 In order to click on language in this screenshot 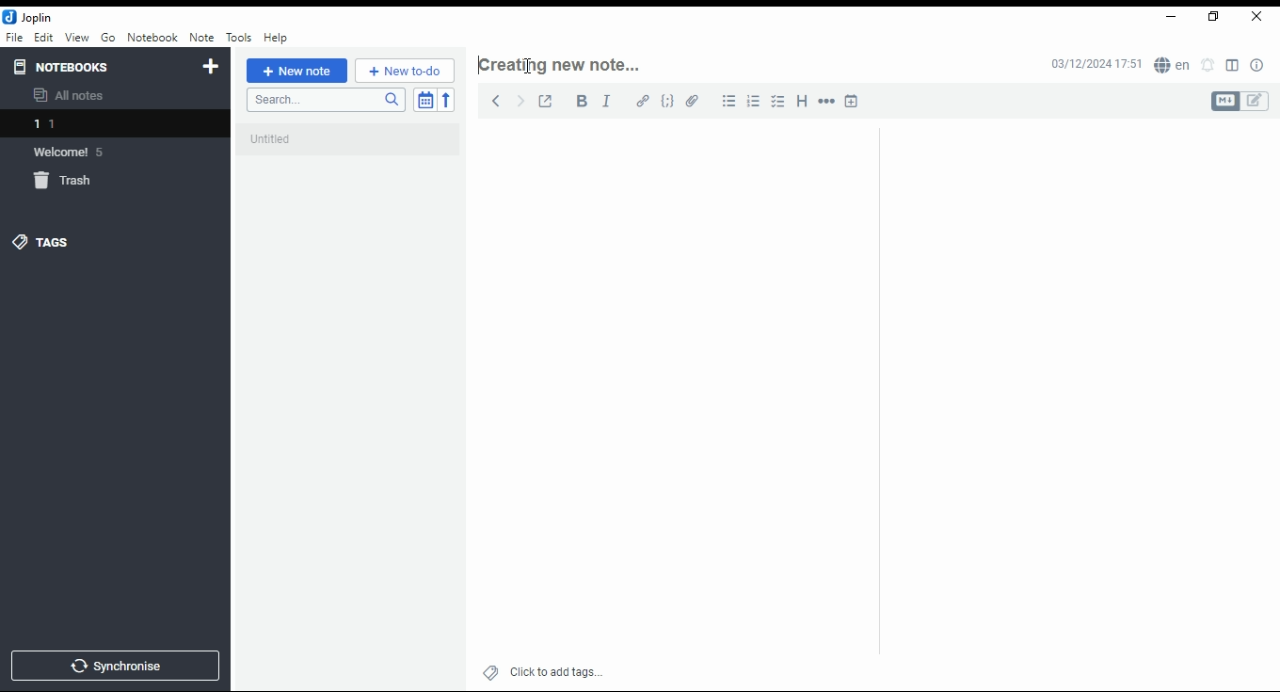, I will do `click(1171, 65)`.